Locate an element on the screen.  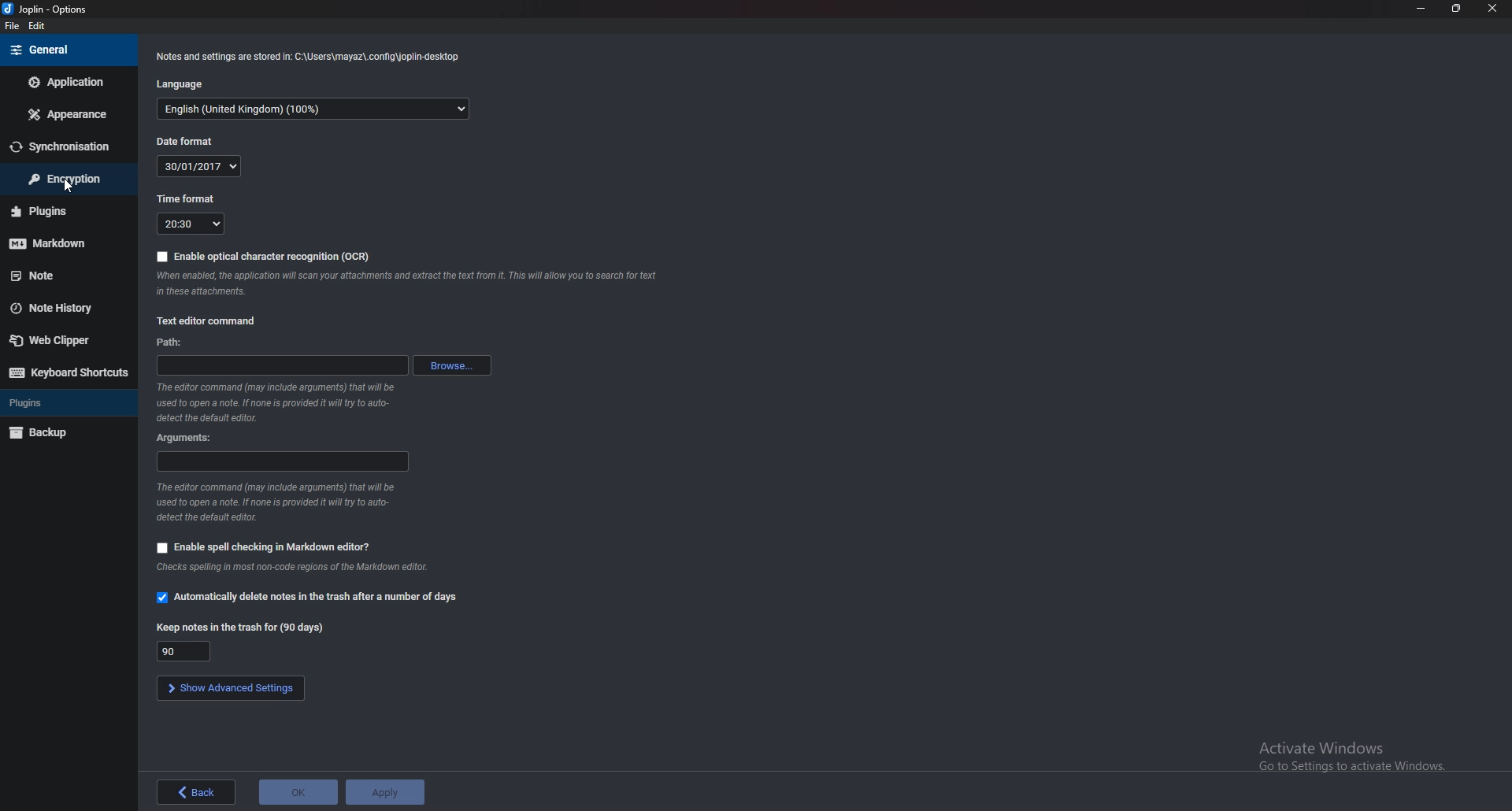
enable ocr is located at coordinates (265, 256).